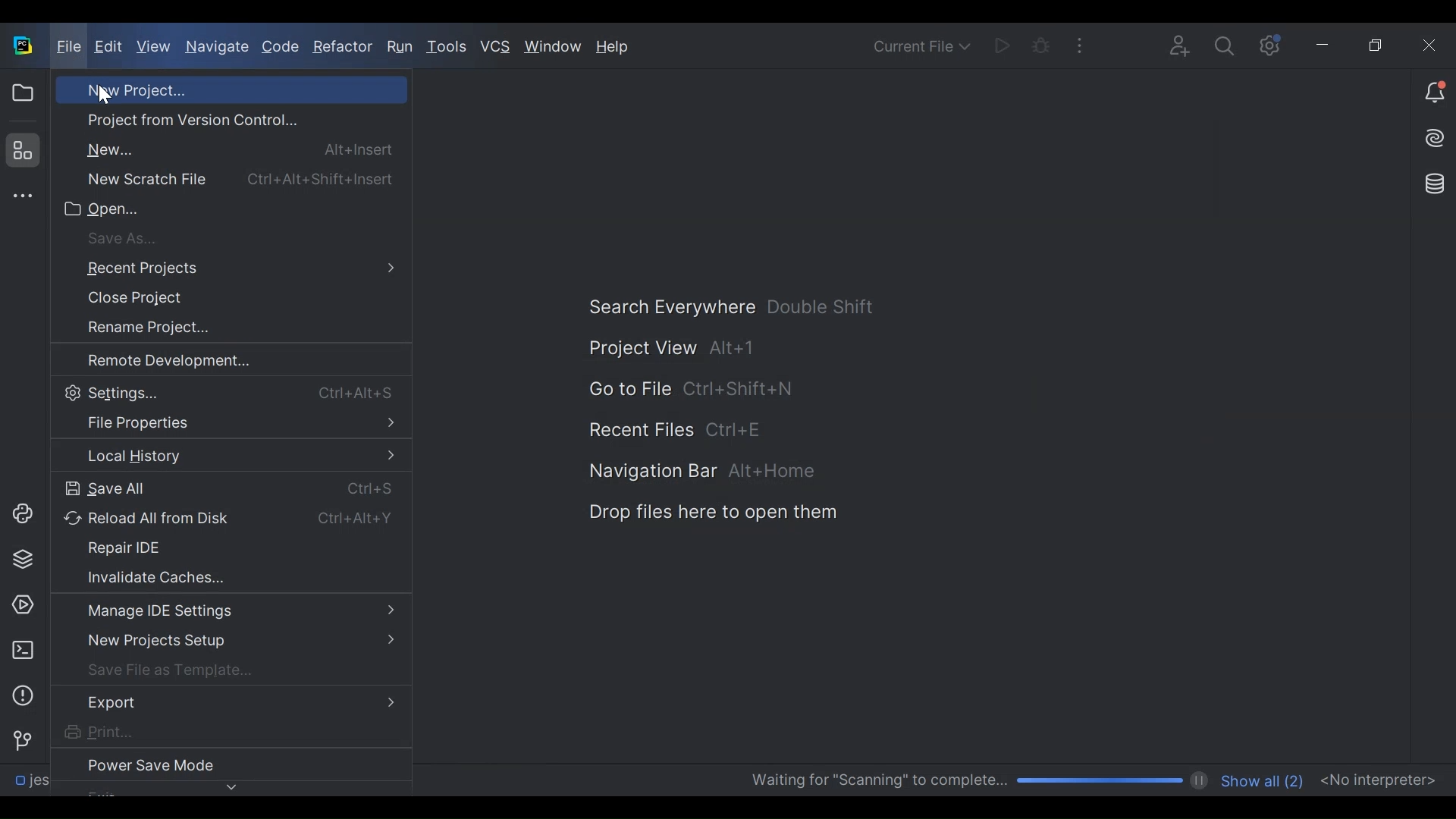 This screenshot has width=1456, height=819. What do you see at coordinates (100, 96) in the screenshot?
I see `Cursor` at bounding box center [100, 96].